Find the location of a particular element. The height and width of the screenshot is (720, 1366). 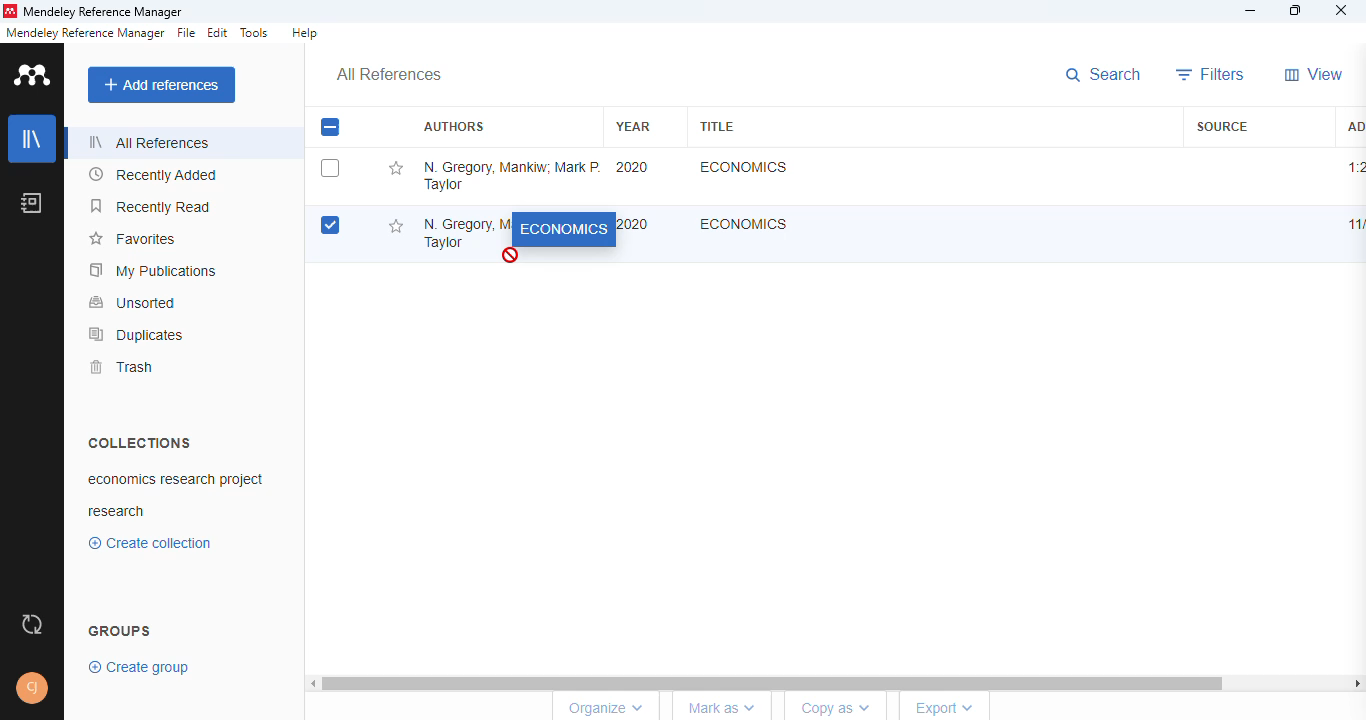

sync is located at coordinates (32, 625).